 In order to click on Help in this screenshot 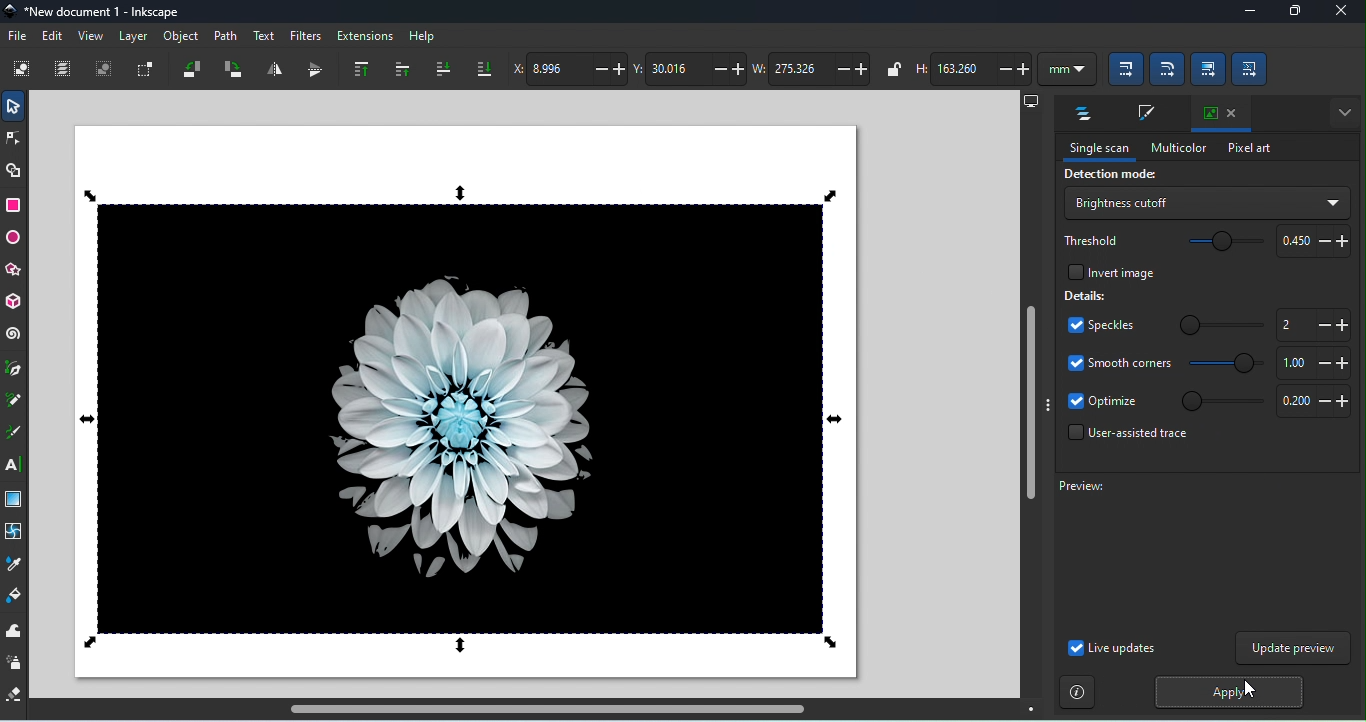, I will do `click(422, 36)`.